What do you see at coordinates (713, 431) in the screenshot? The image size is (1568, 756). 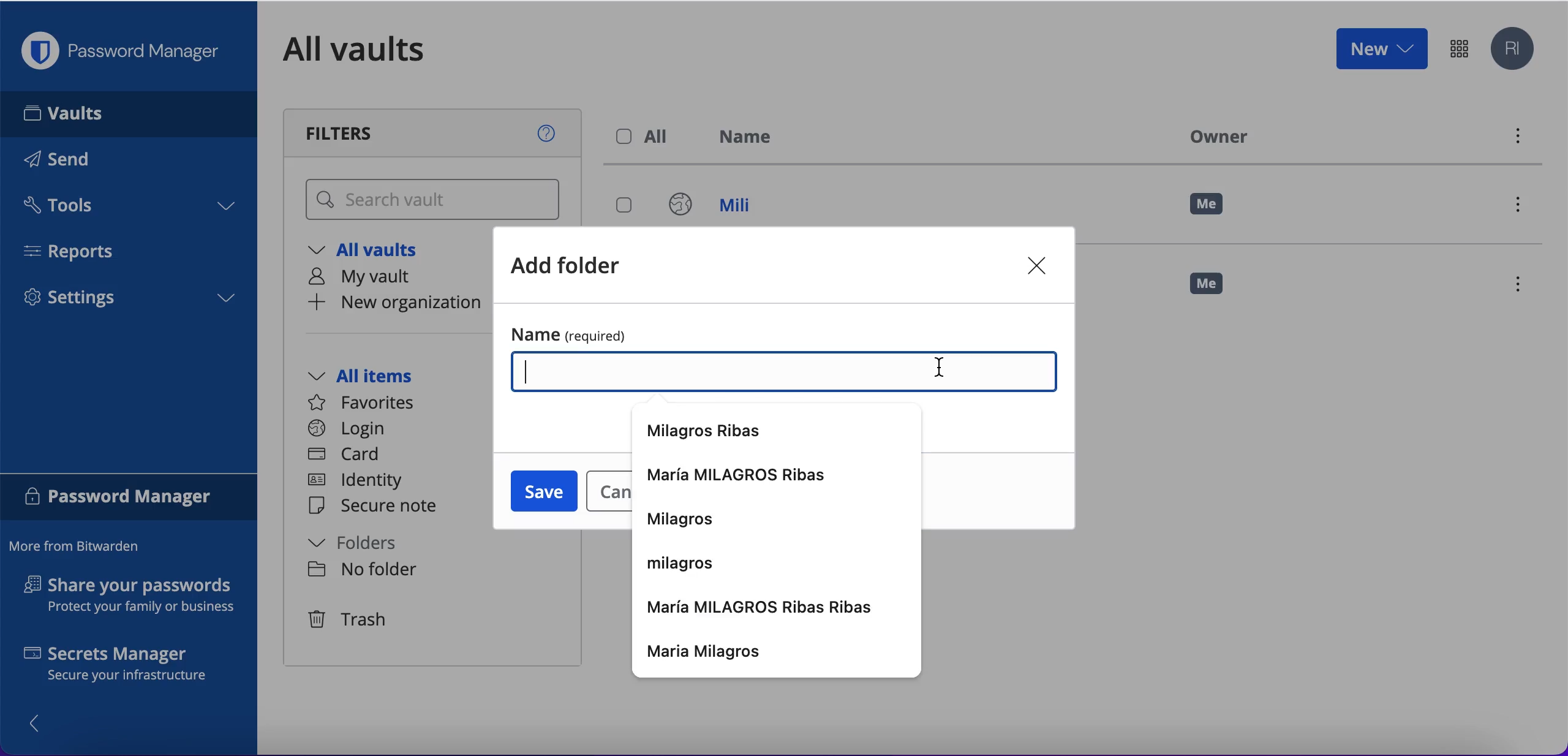 I see `milagros ribas` at bounding box center [713, 431].